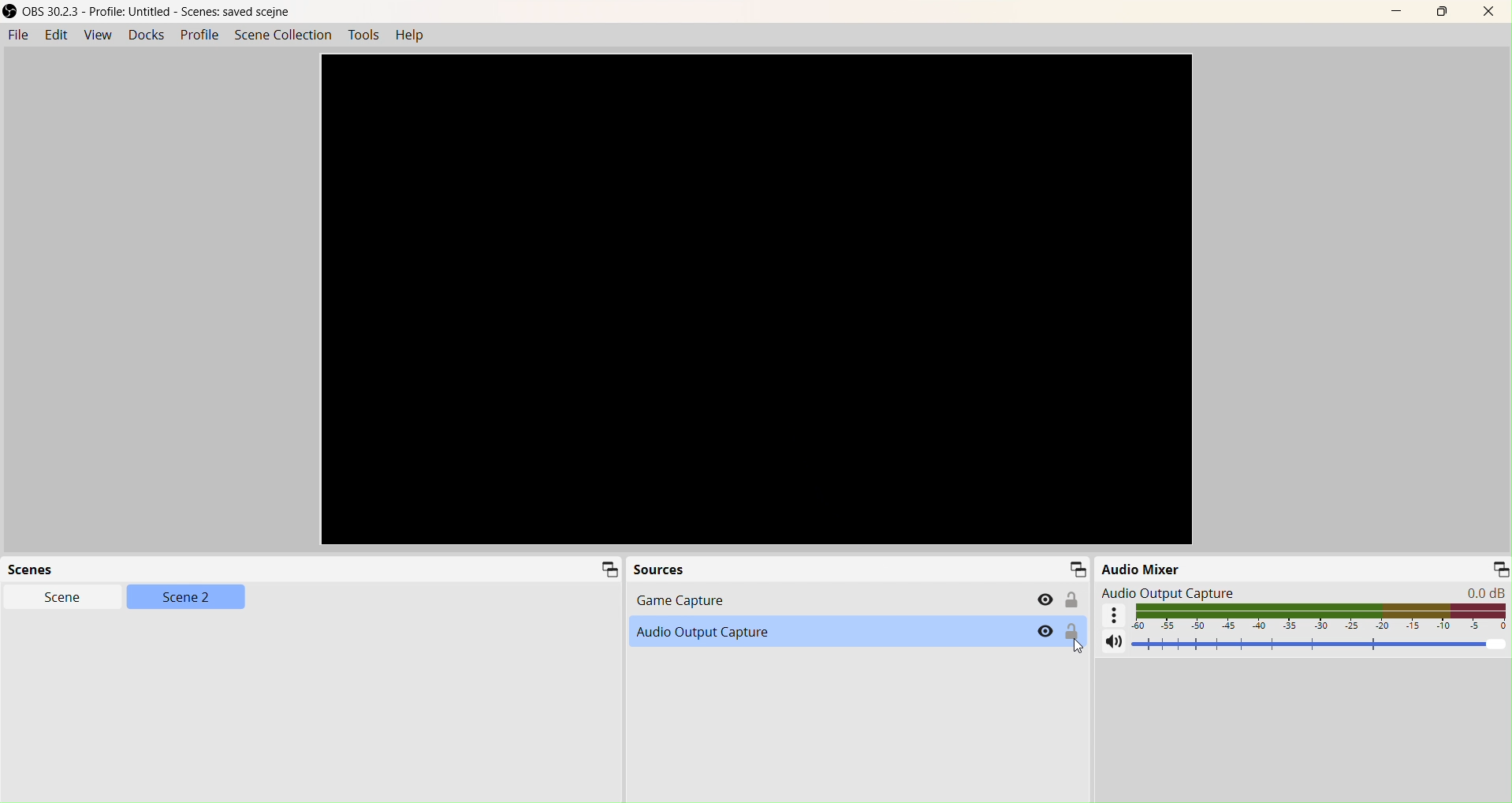 Image resolution: width=1512 pixels, height=803 pixels. What do you see at coordinates (411, 37) in the screenshot?
I see `help` at bounding box center [411, 37].